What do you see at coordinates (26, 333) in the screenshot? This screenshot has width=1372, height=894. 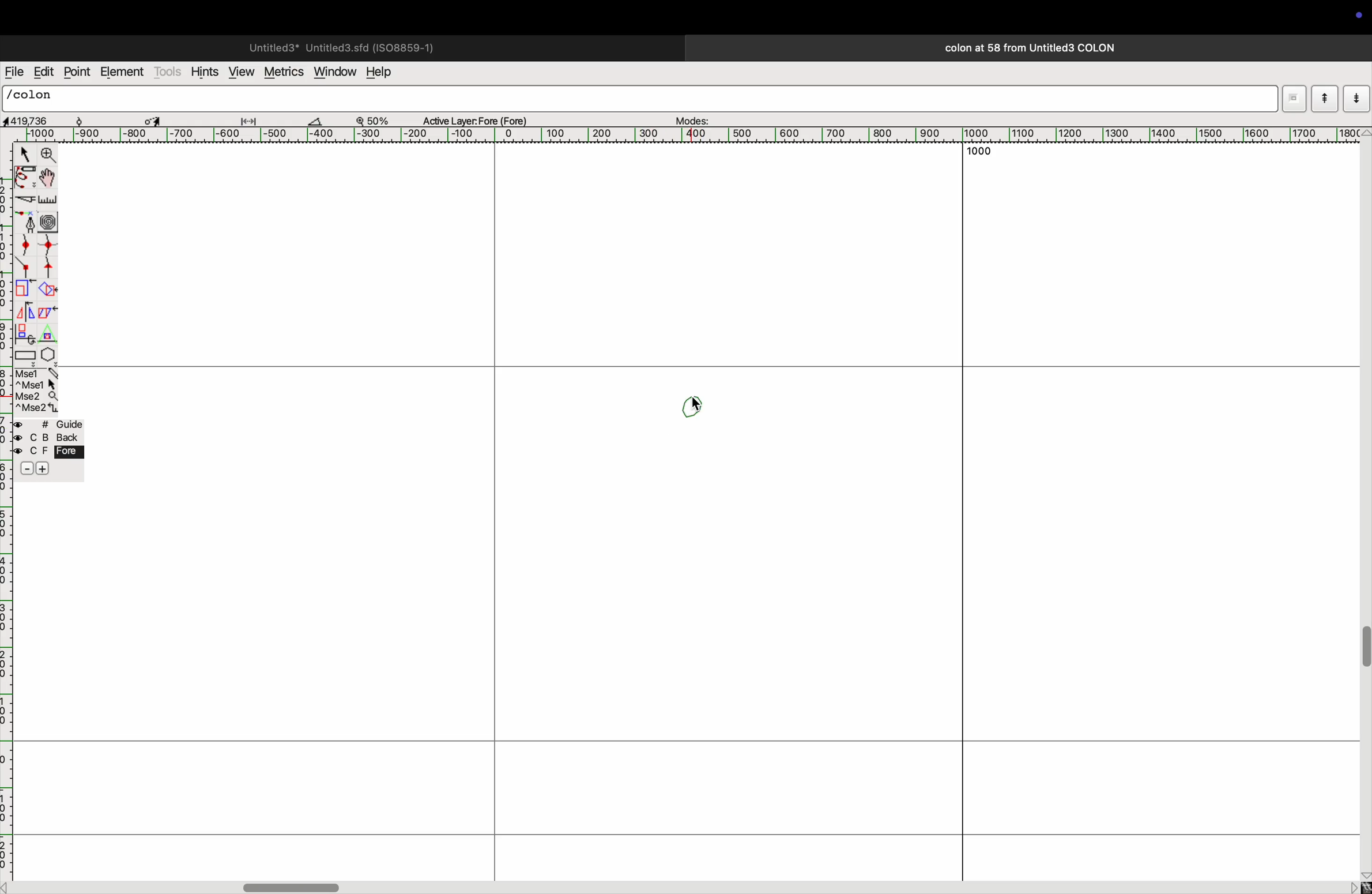 I see `clone` at bounding box center [26, 333].